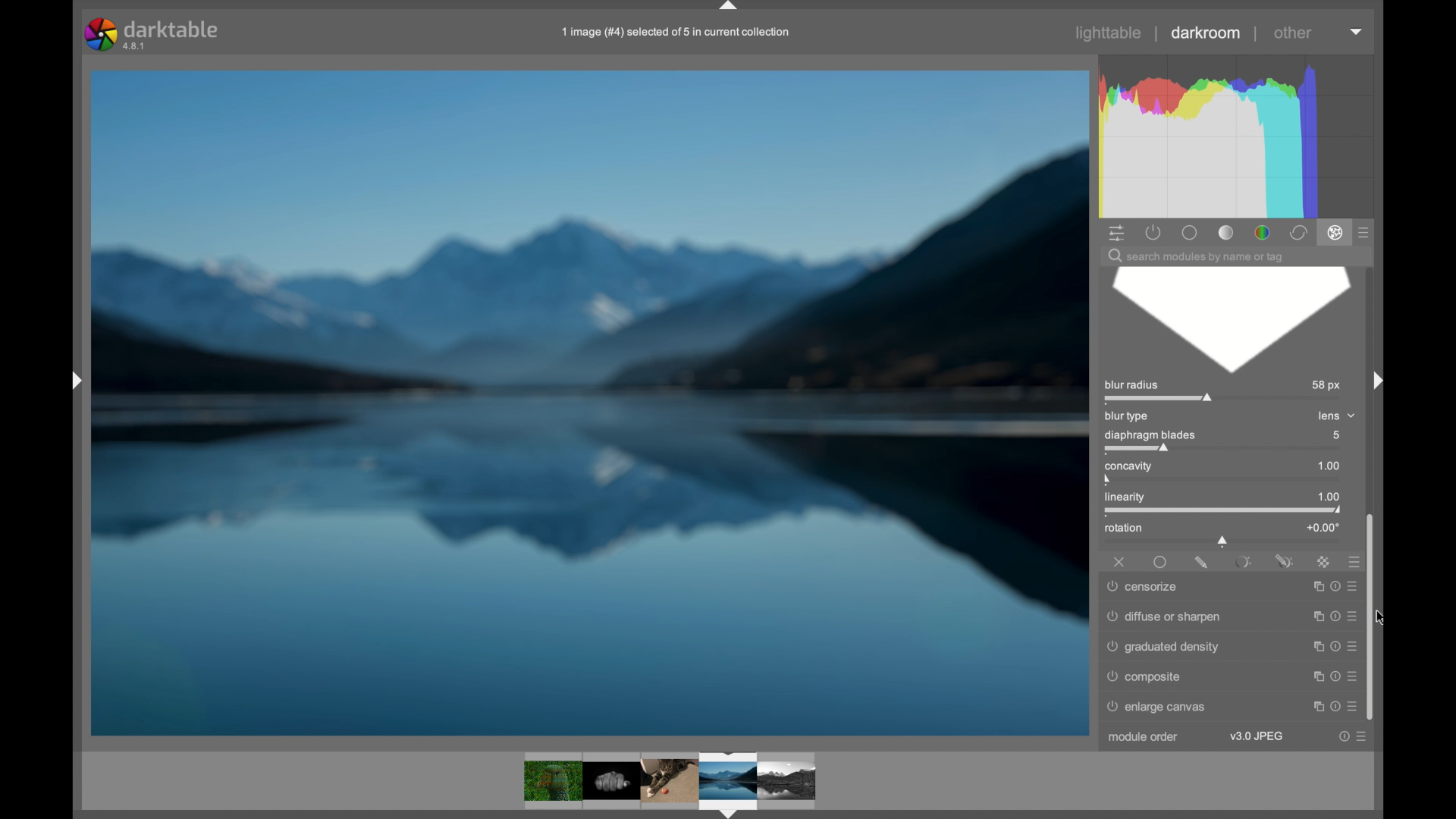 The image size is (1456, 819). I want to click on more options, so click(1354, 583).